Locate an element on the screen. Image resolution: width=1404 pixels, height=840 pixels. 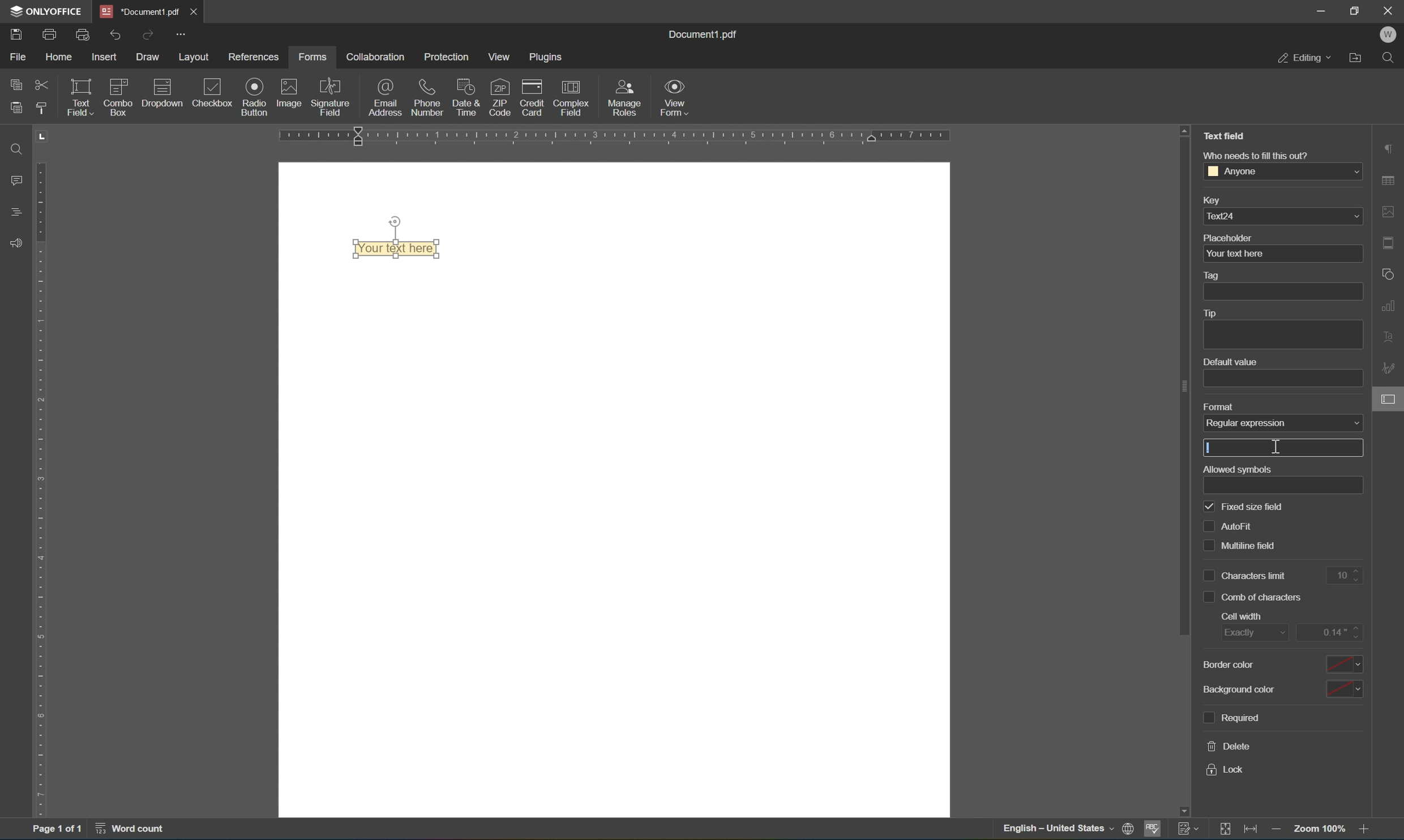
close is located at coordinates (1390, 9).